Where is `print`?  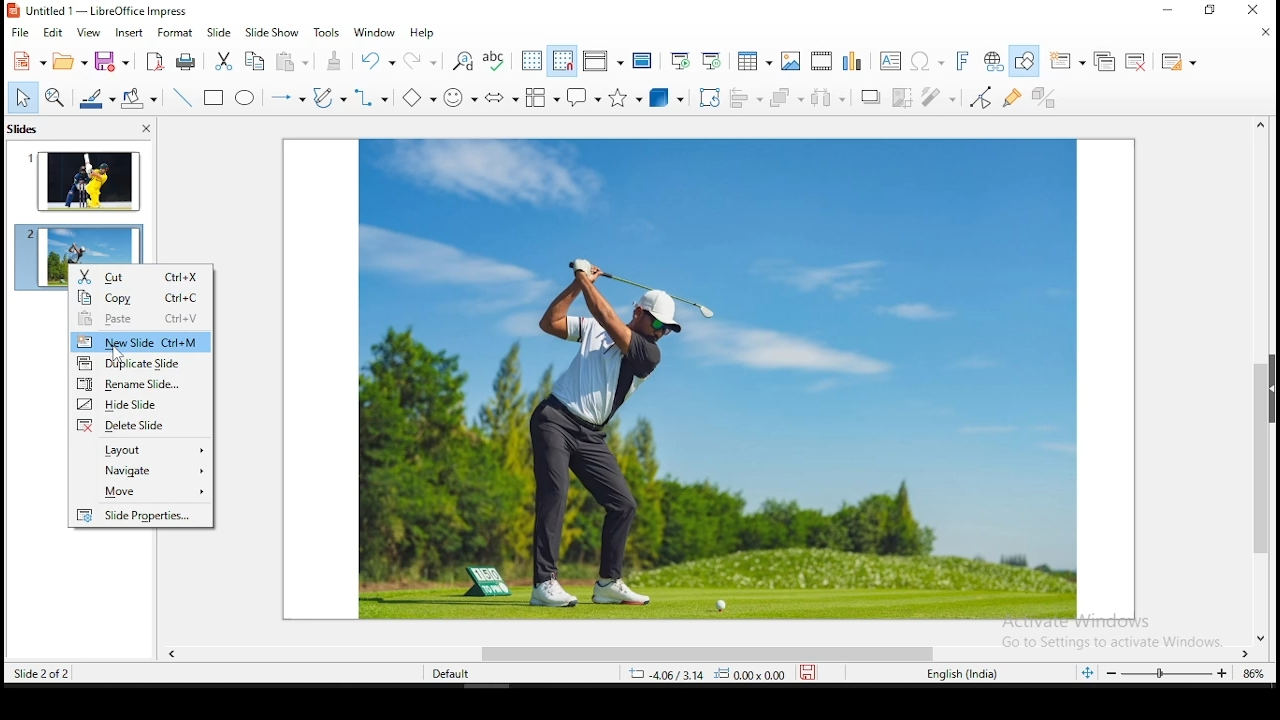 print is located at coordinates (186, 61).